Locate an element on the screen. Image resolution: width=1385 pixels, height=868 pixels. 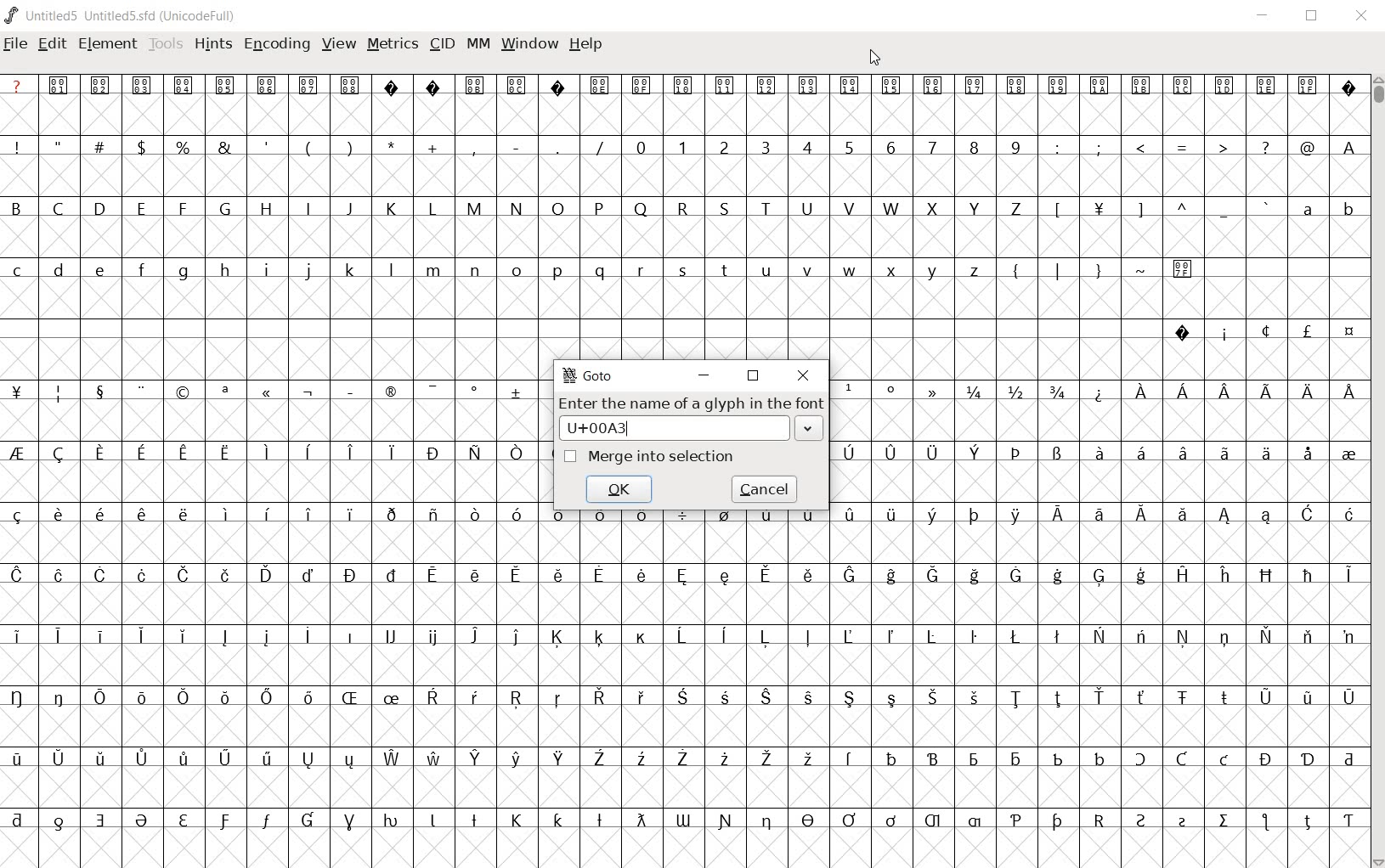
Symbol is located at coordinates (97, 634).